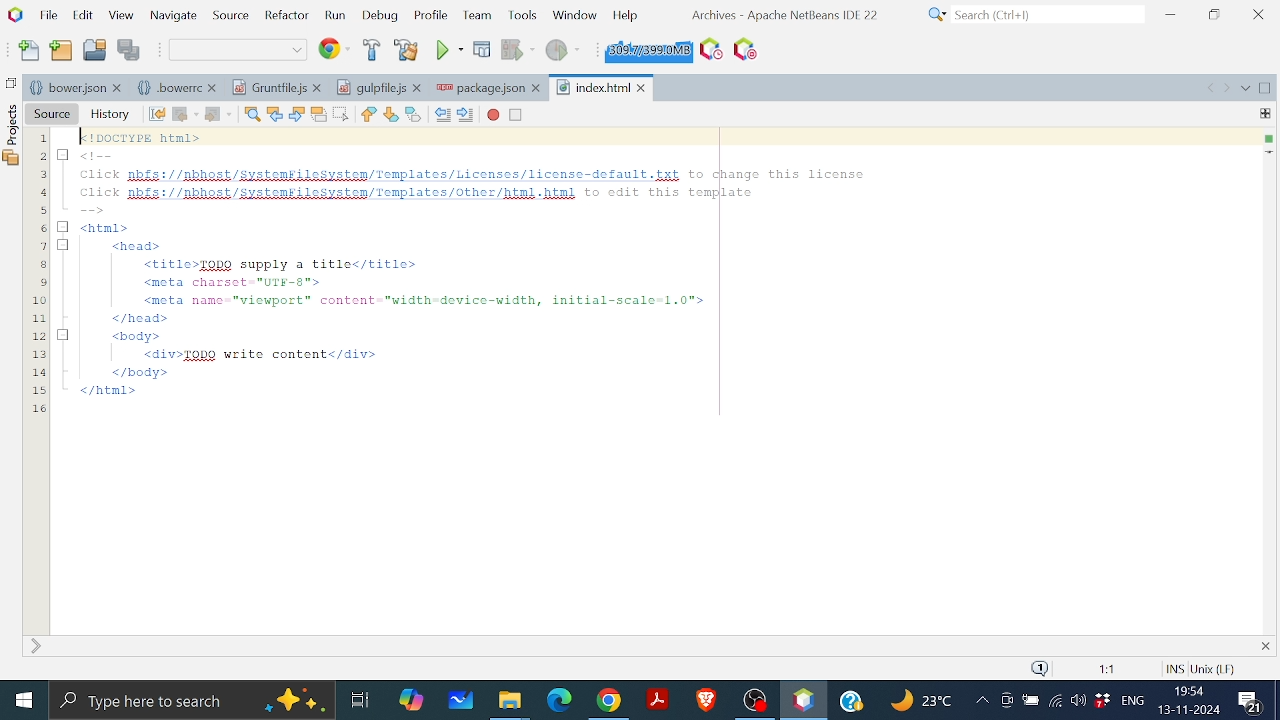  Describe the element at coordinates (1032, 15) in the screenshot. I see `Search` at that location.